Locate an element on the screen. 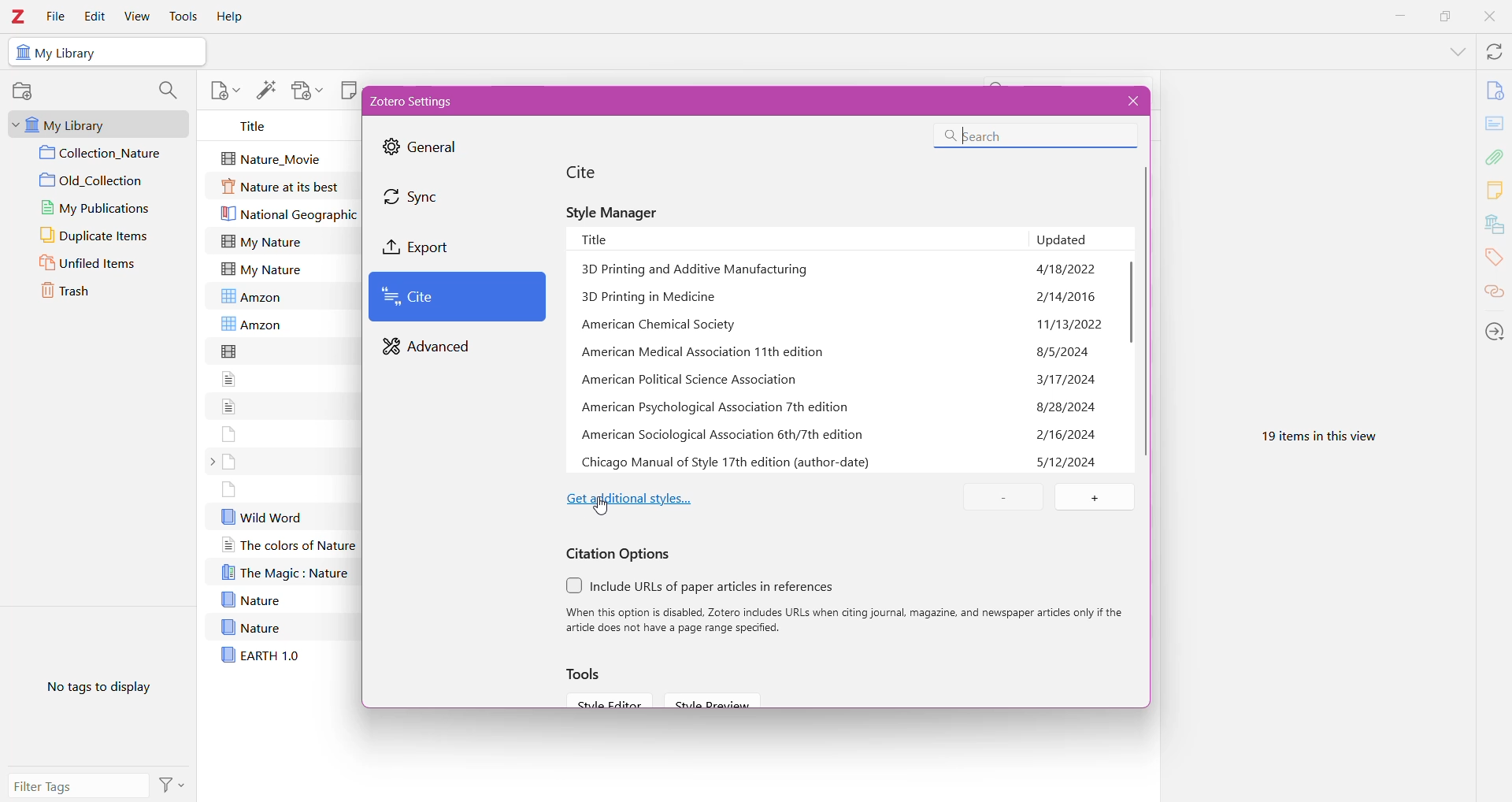  Related is located at coordinates (1494, 293).